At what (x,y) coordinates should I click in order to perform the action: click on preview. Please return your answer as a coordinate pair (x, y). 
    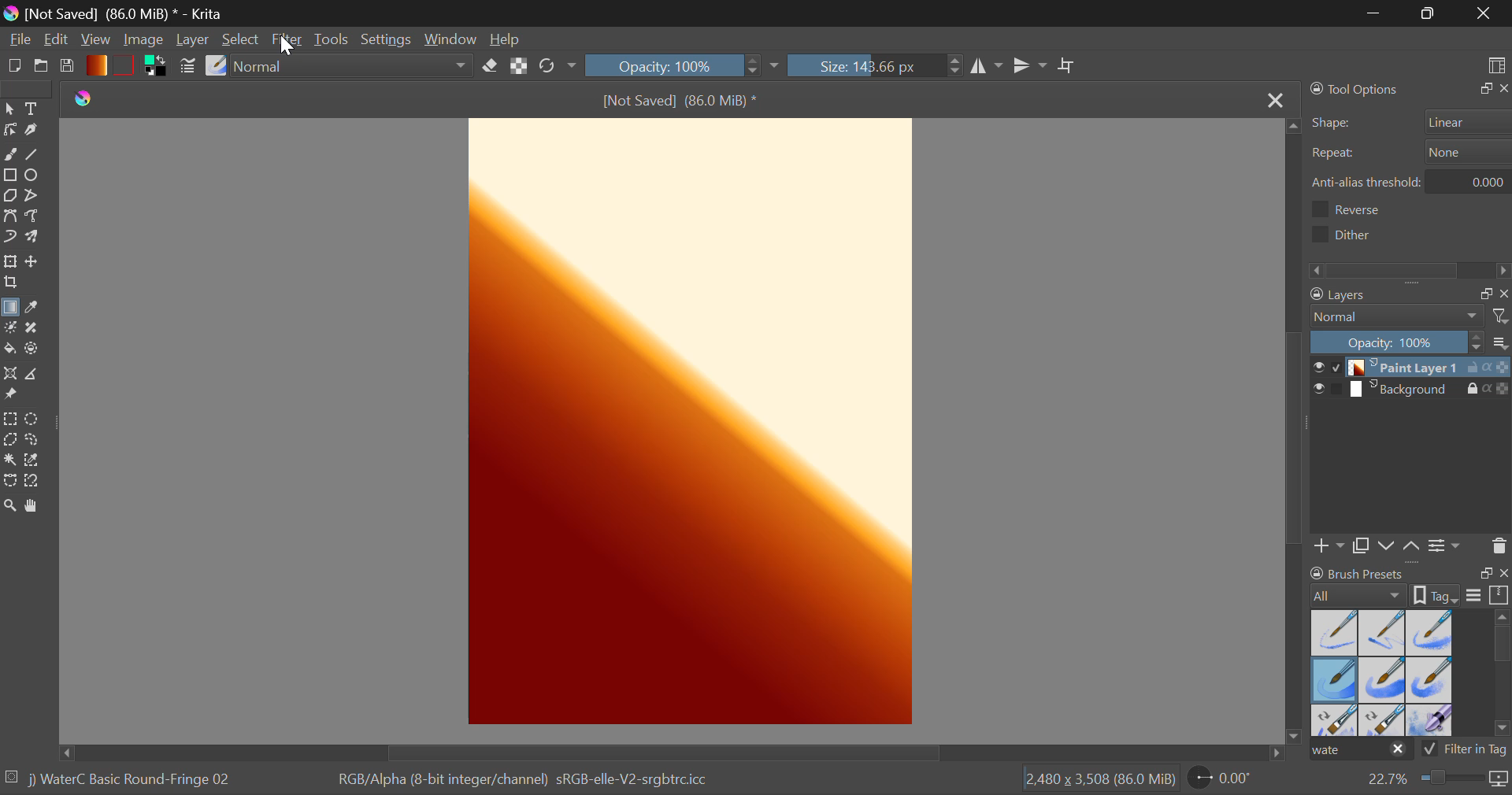
    Looking at the image, I should click on (1316, 368).